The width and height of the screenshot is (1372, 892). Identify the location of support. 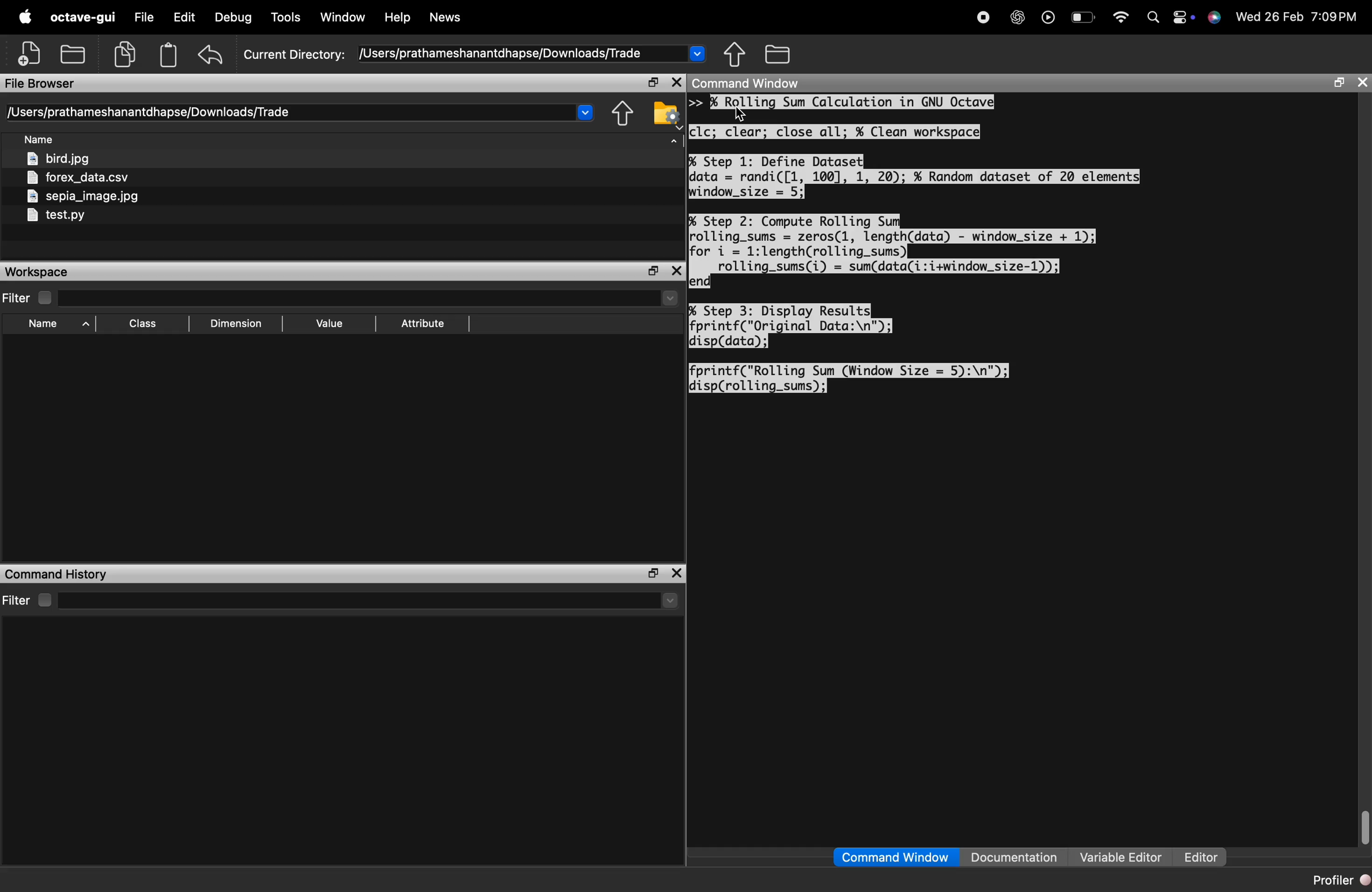
(1218, 20).